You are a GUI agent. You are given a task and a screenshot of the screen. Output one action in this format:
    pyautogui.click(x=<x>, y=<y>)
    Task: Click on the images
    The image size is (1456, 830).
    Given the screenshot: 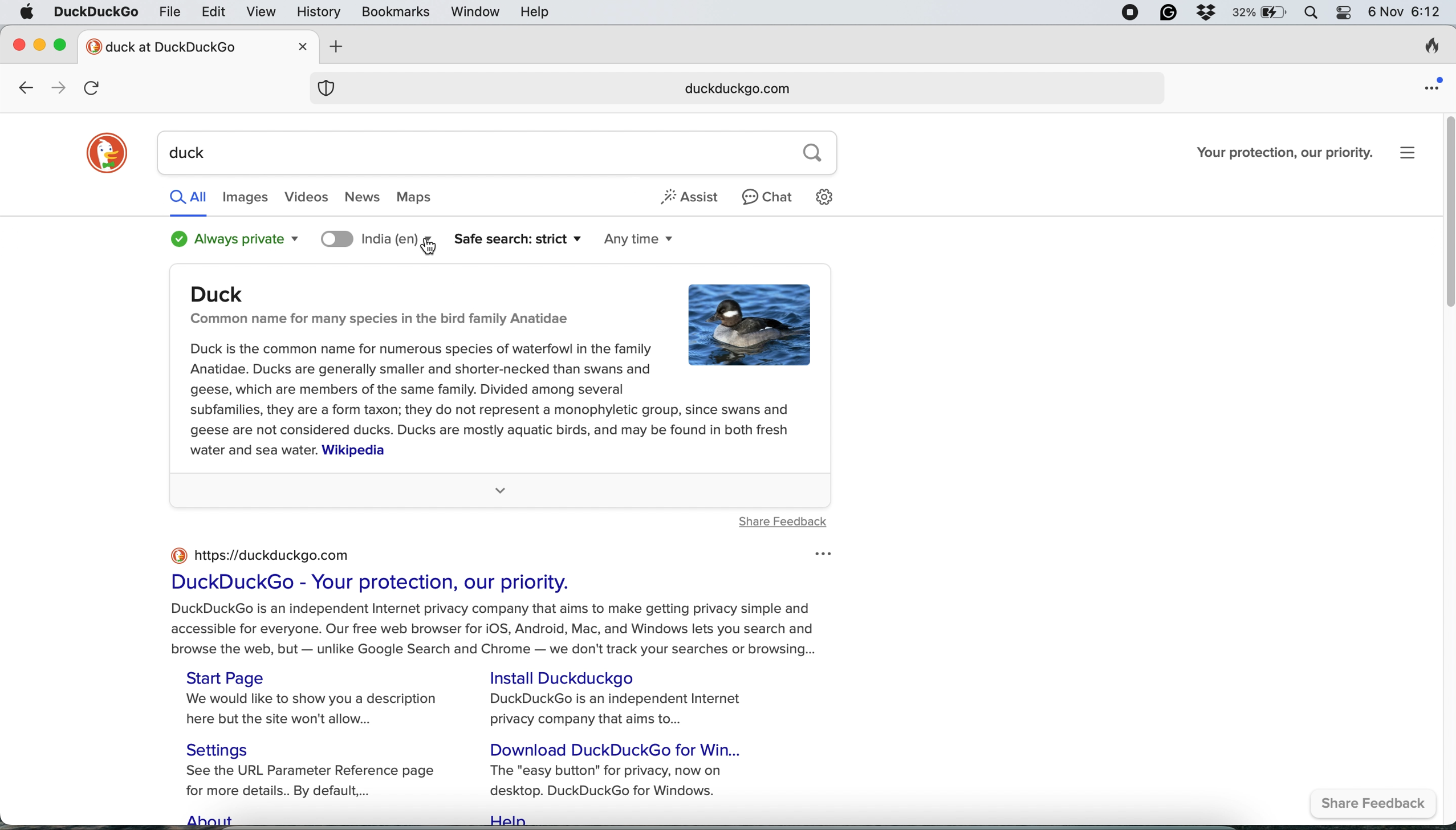 What is the action you would take?
    pyautogui.click(x=245, y=198)
    